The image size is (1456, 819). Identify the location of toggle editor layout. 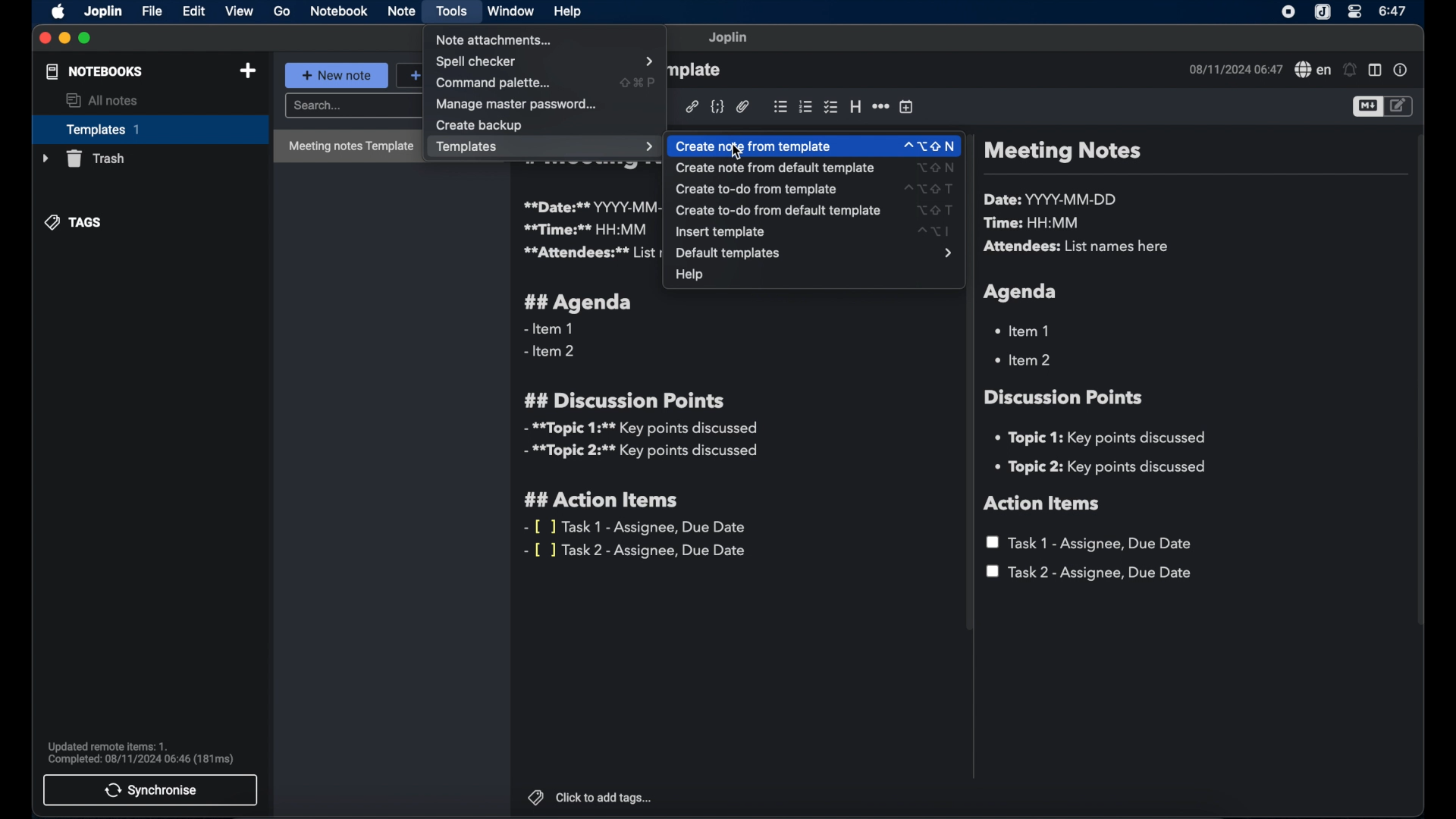
(1375, 71).